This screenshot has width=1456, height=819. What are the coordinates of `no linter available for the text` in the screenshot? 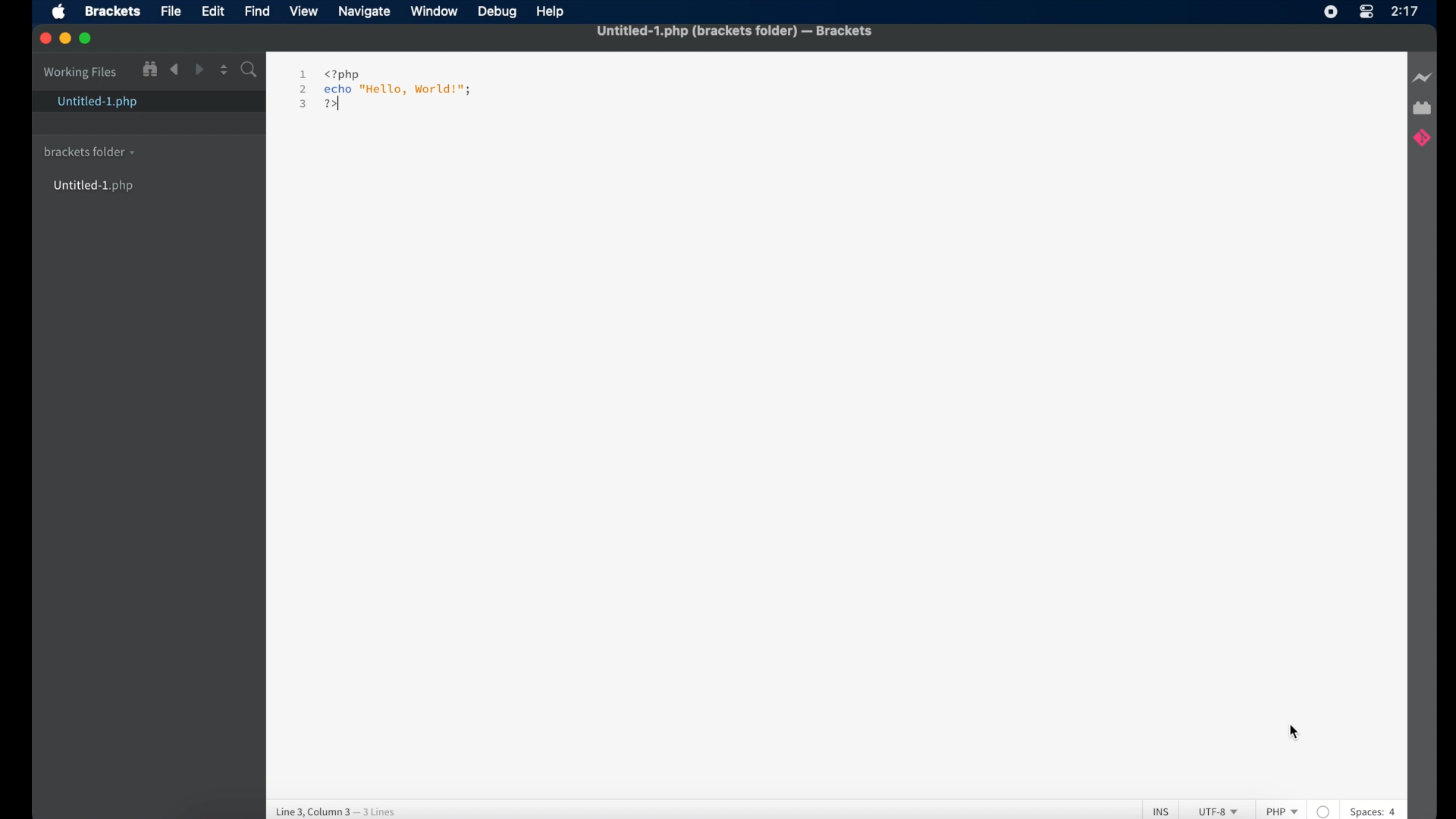 It's located at (1325, 810).